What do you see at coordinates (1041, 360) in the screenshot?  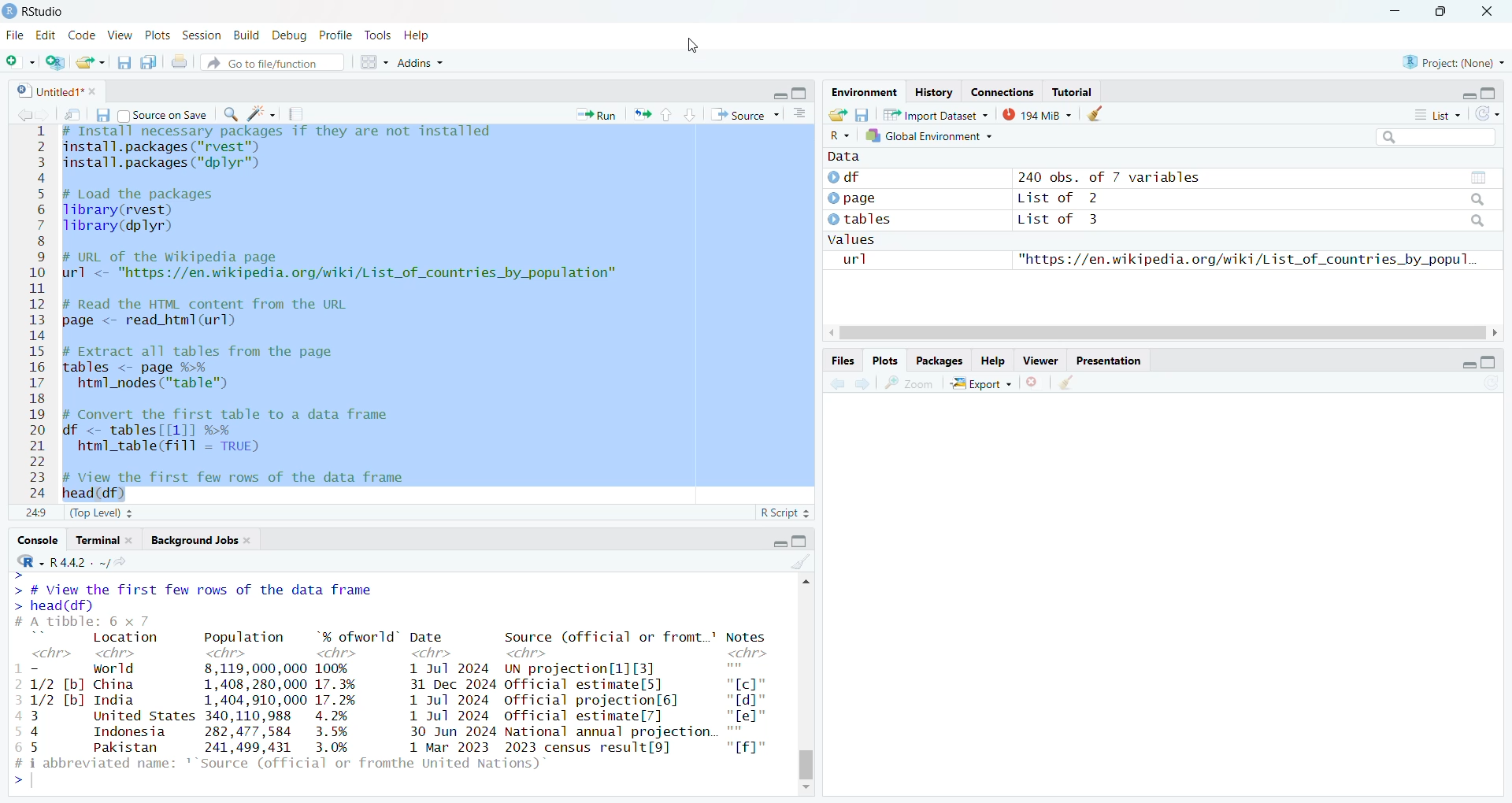 I see `Viewer` at bounding box center [1041, 360].